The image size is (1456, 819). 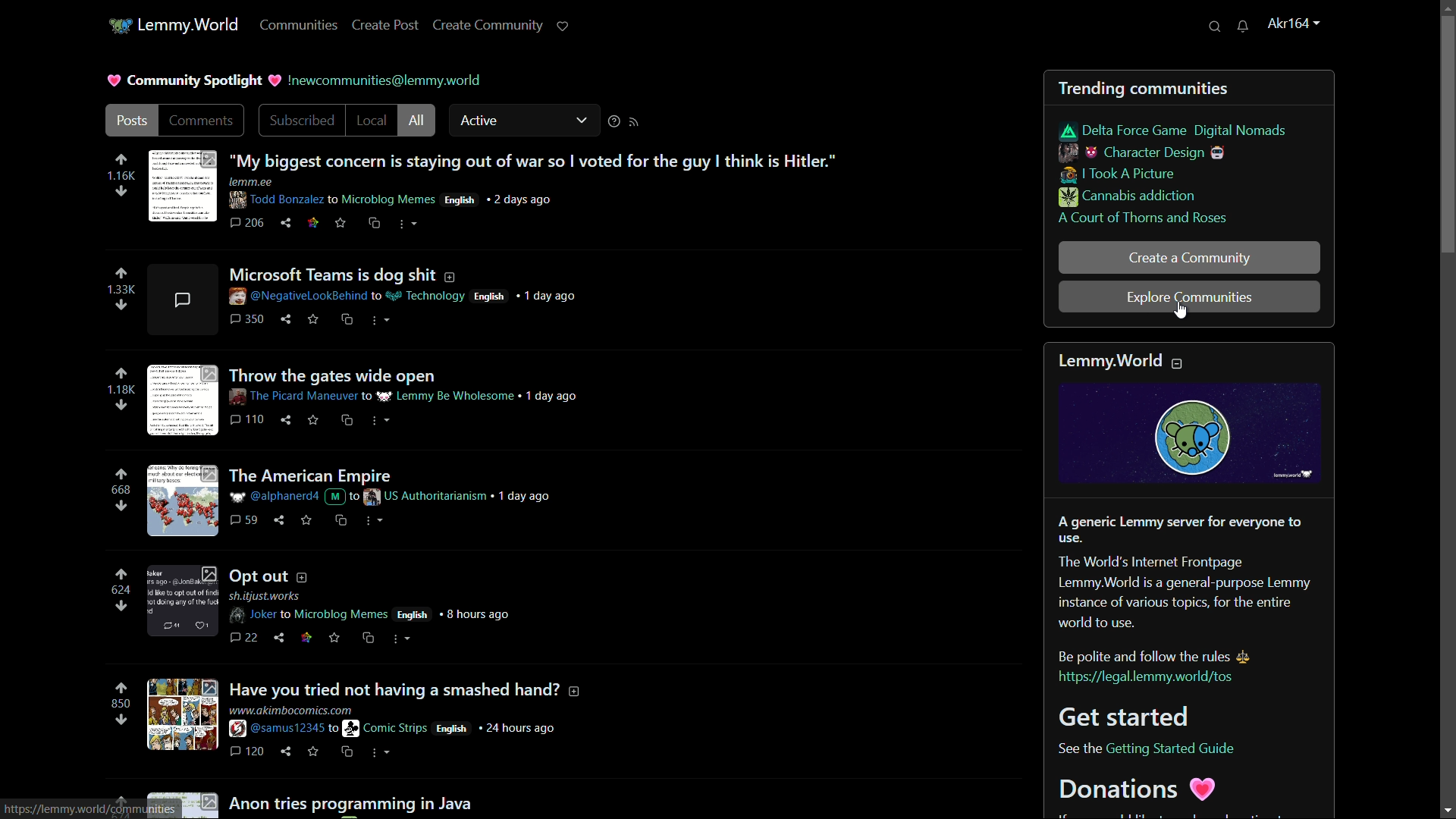 What do you see at coordinates (396, 498) in the screenshot?
I see `post details` at bounding box center [396, 498].